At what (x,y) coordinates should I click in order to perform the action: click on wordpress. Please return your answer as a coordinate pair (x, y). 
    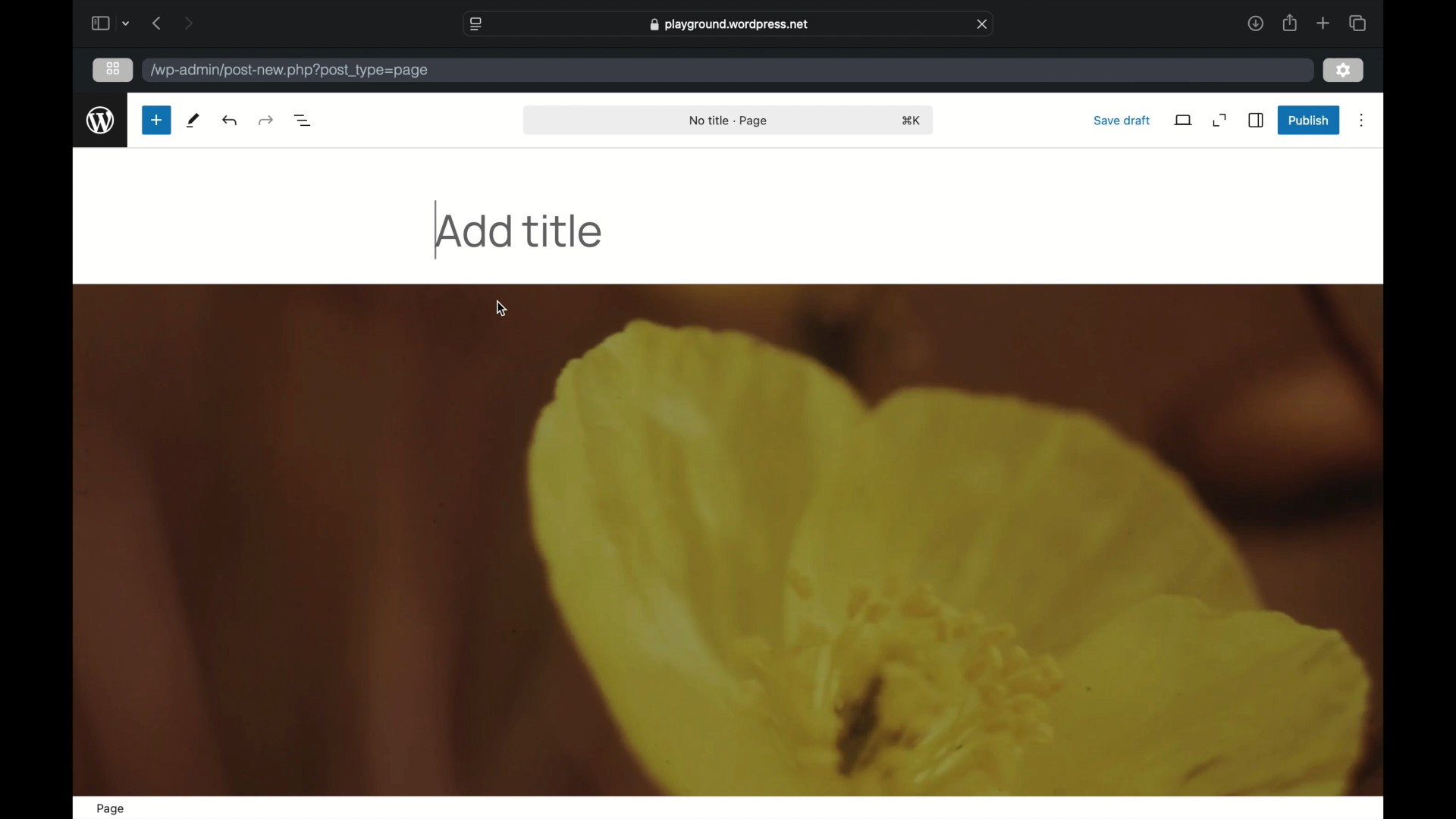
    Looking at the image, I should click on (101, 121).